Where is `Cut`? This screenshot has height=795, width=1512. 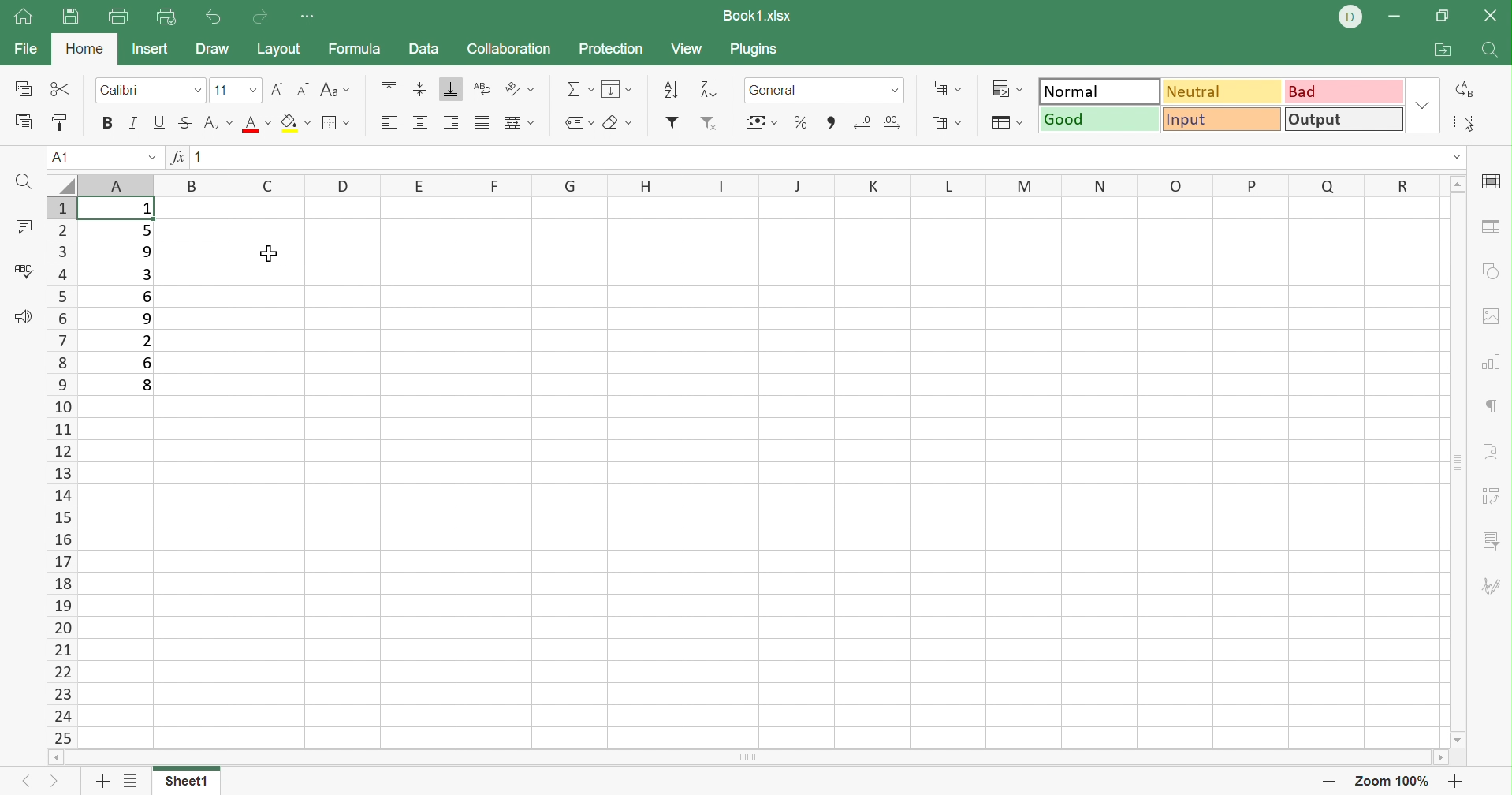 Cut is located at coordinates (59, 90).